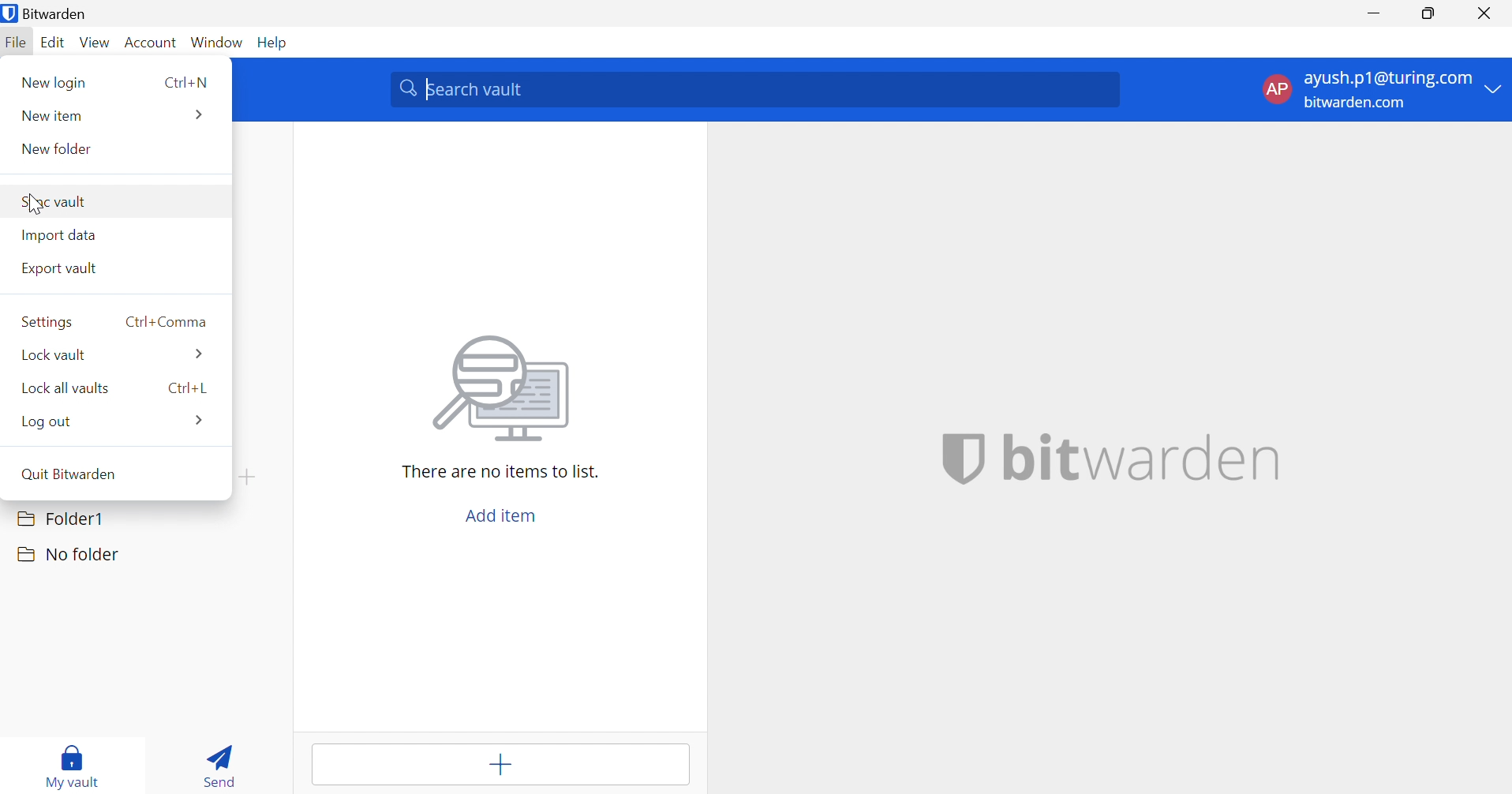 This screenshot has height=794, width=1512. I want to click on Account Options Drop Down, so click(1379, 92).